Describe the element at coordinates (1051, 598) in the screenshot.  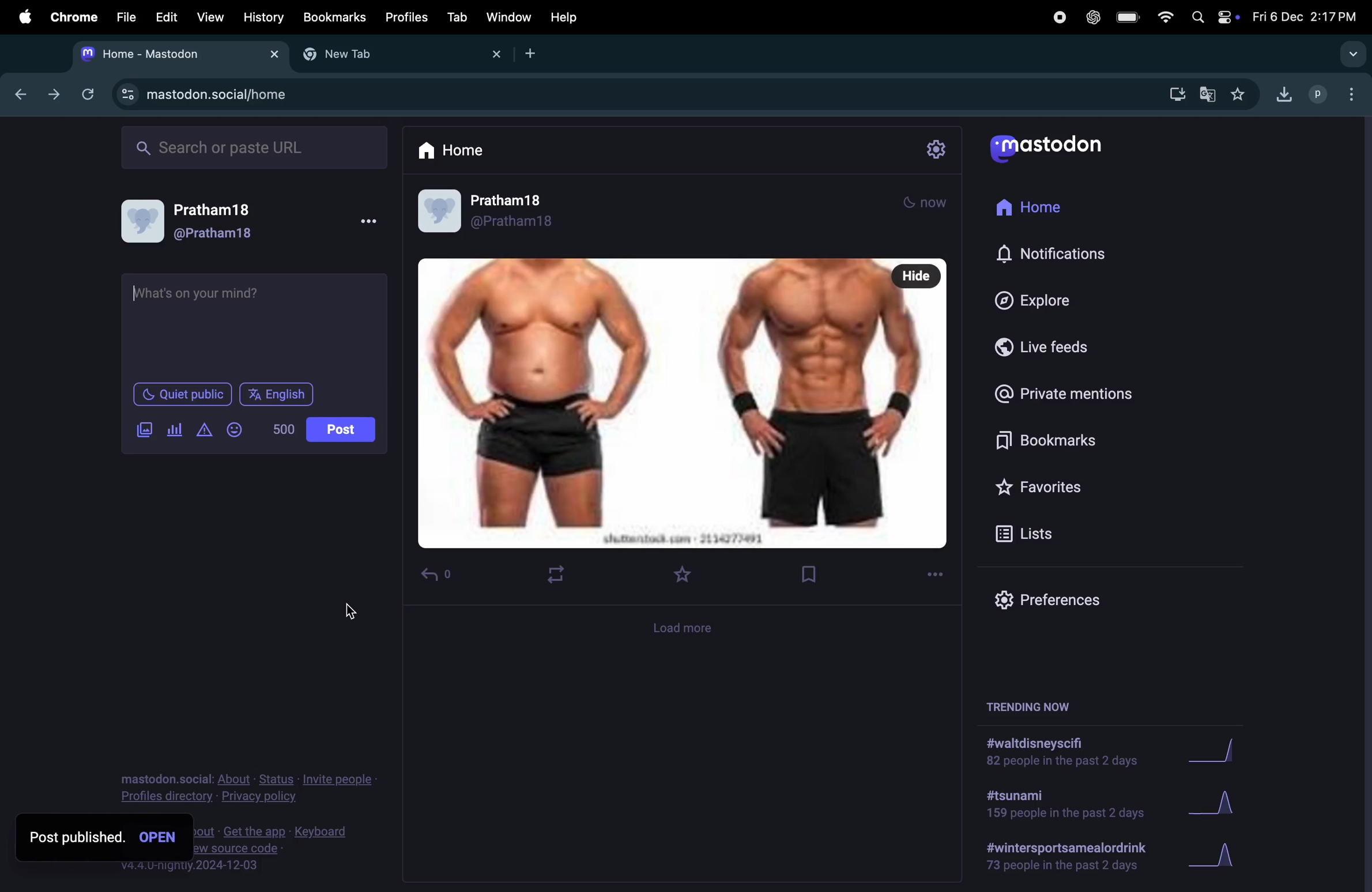
I see `Prefrences` at that location.